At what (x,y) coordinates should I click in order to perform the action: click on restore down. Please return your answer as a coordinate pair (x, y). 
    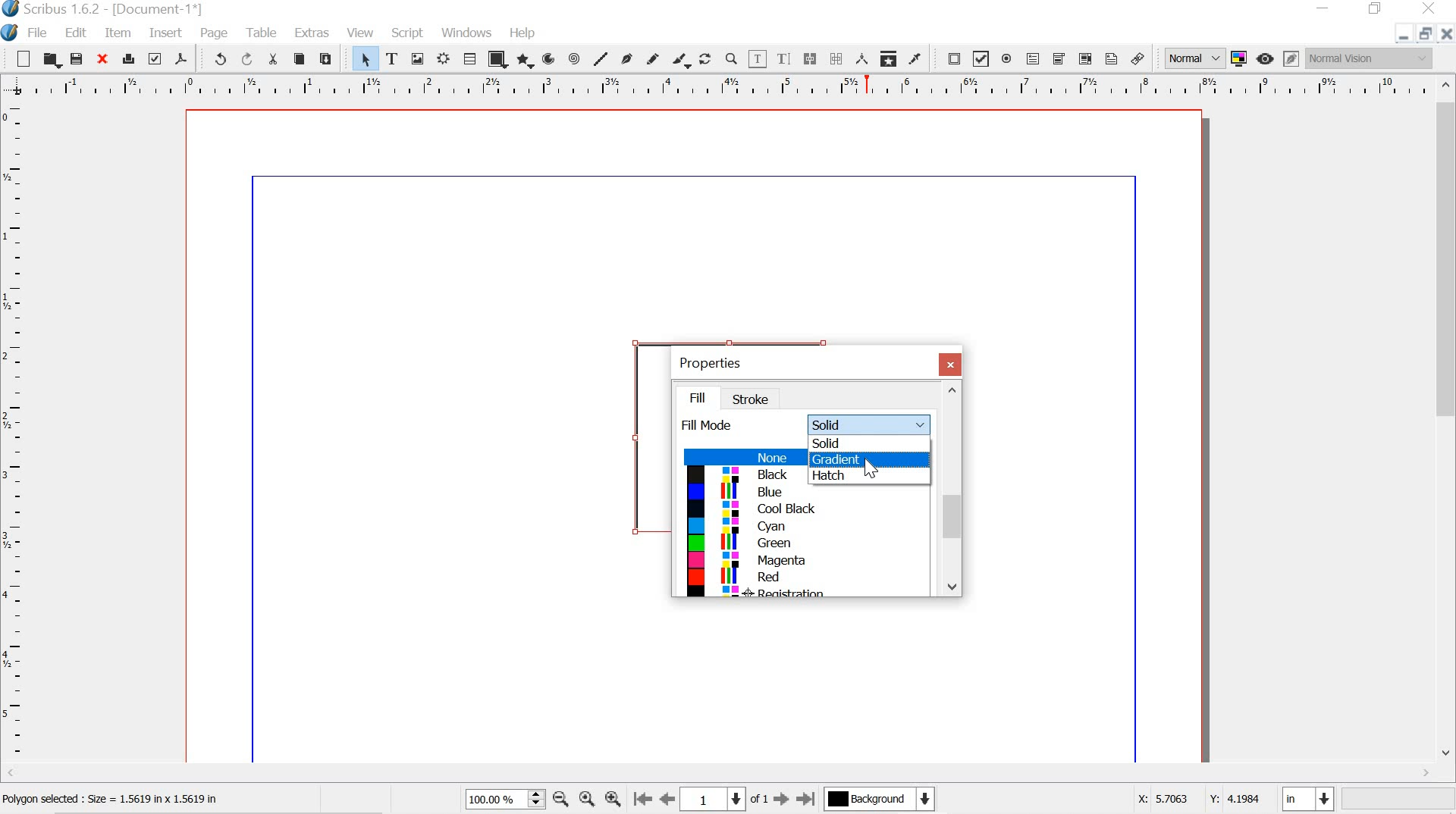
    Looking at the image, I should click on (1423, 33).